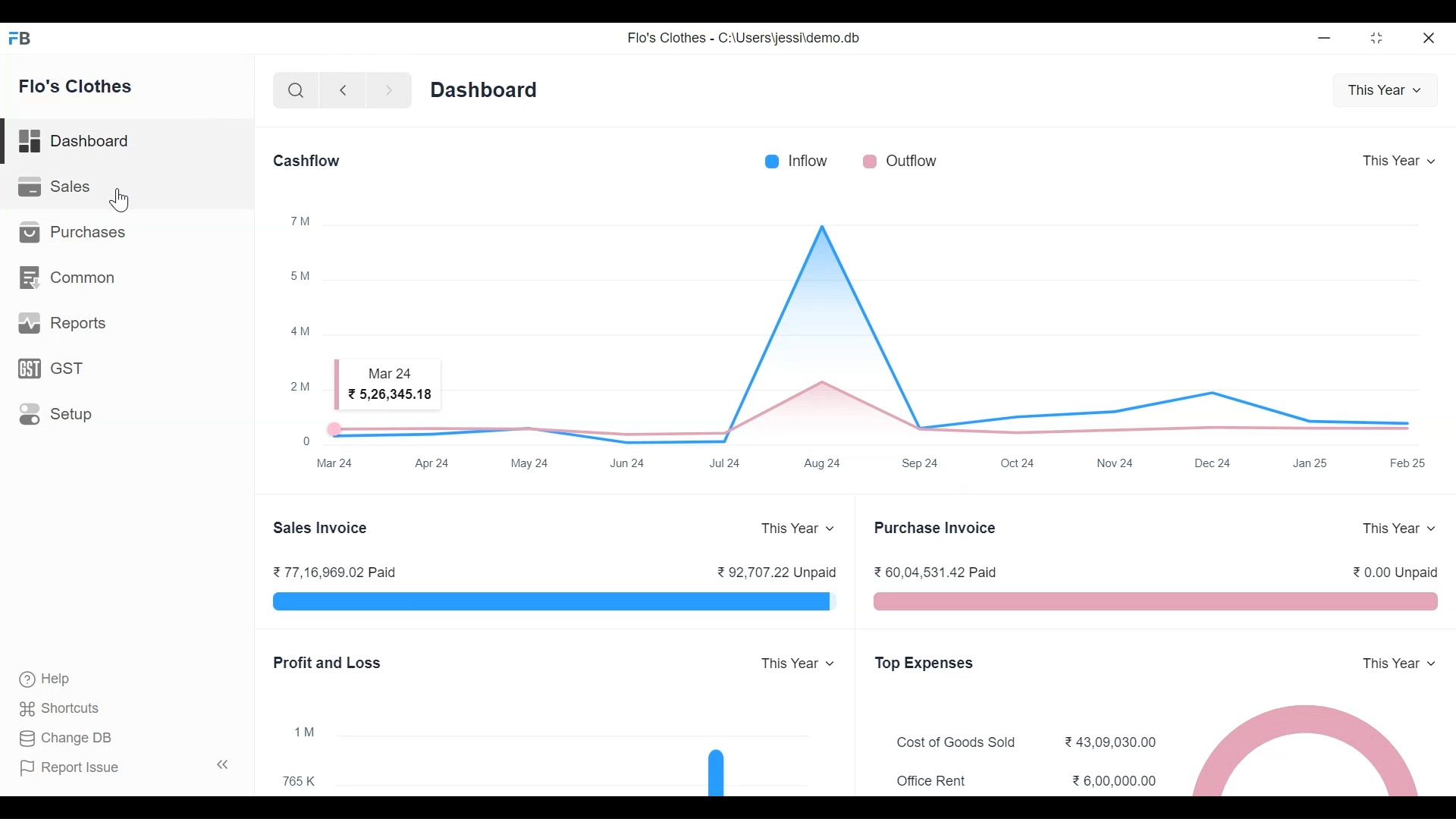 The width and height of the screenshot is (1456, 819). I want to click on Dashboard, so click(76, 142).